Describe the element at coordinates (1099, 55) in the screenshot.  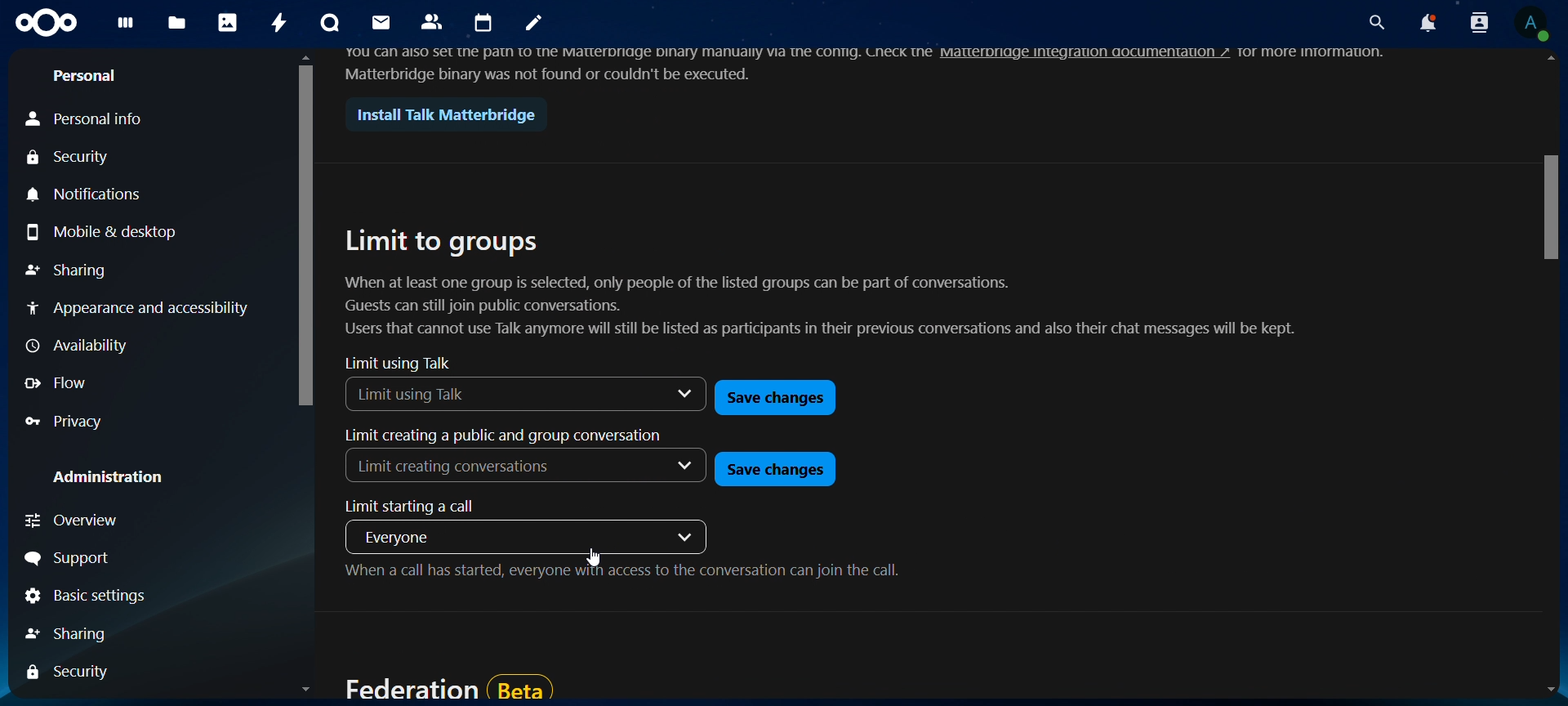
I see `matterbridge integration documentation` at that location.